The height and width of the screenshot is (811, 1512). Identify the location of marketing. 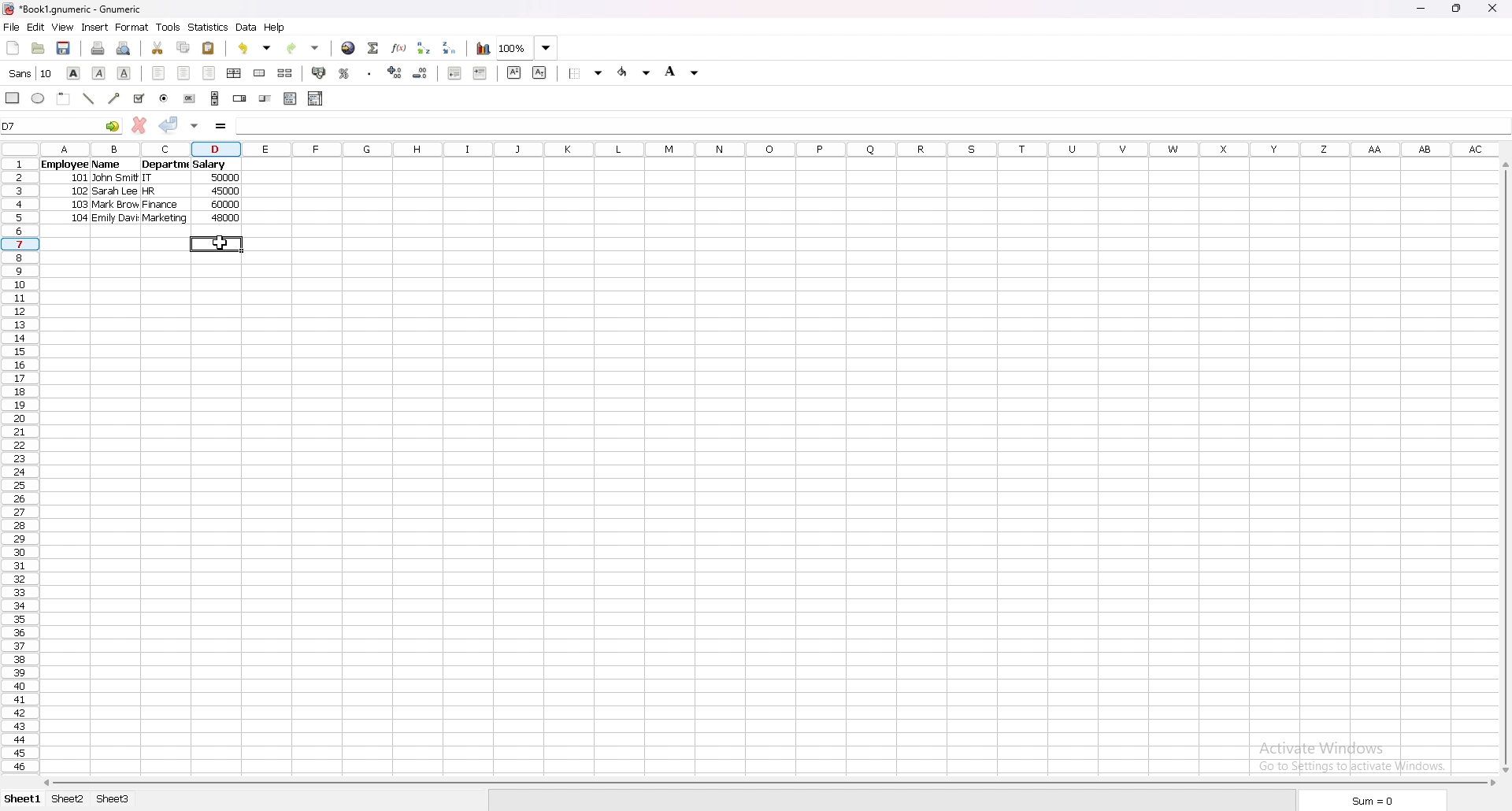
(164, 220).